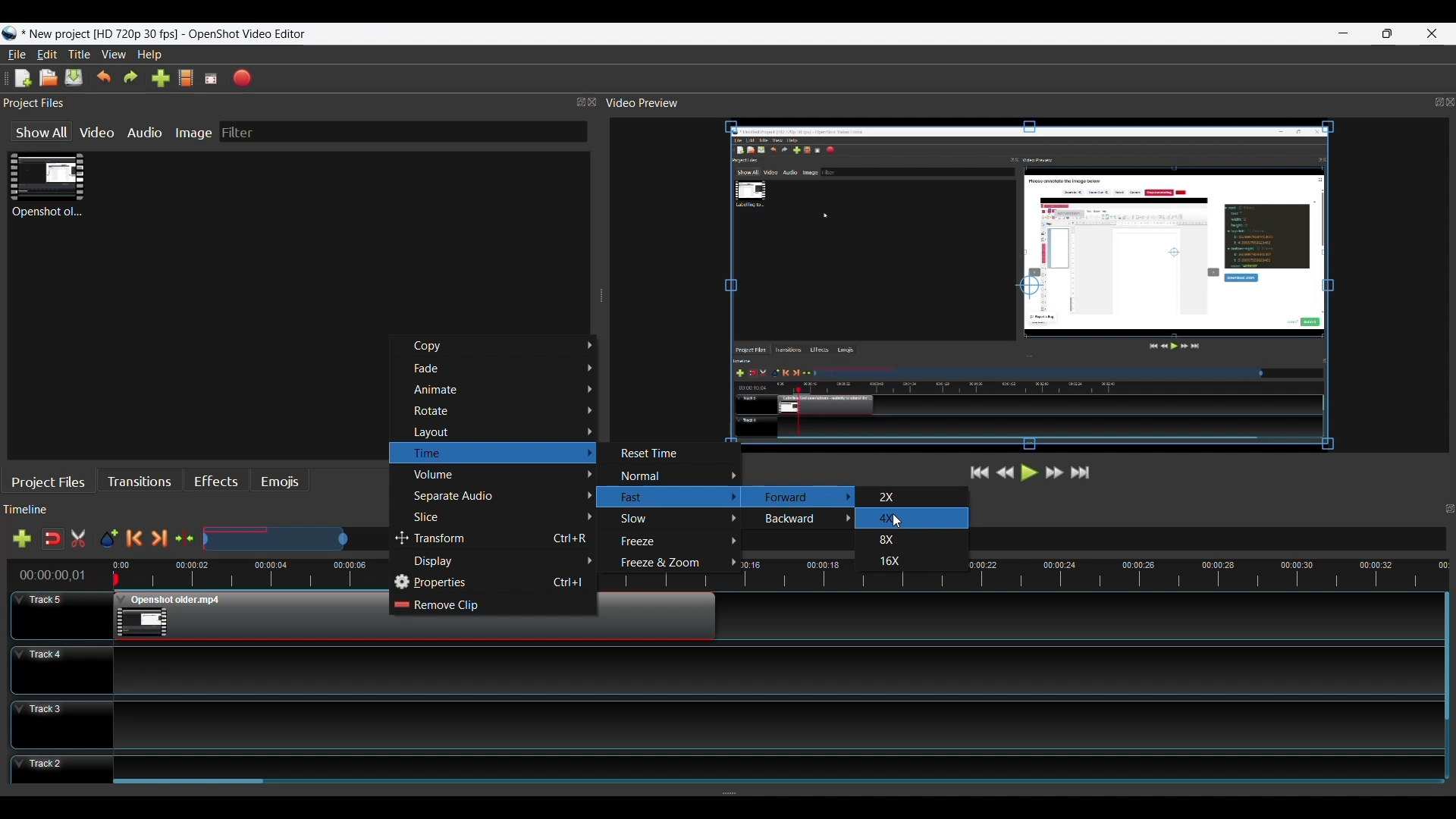 The width and height of the screenshot is (1456, 819). Describe the element at coordinates (161, 78) in the screenshot. I see `Import Files` at that location.